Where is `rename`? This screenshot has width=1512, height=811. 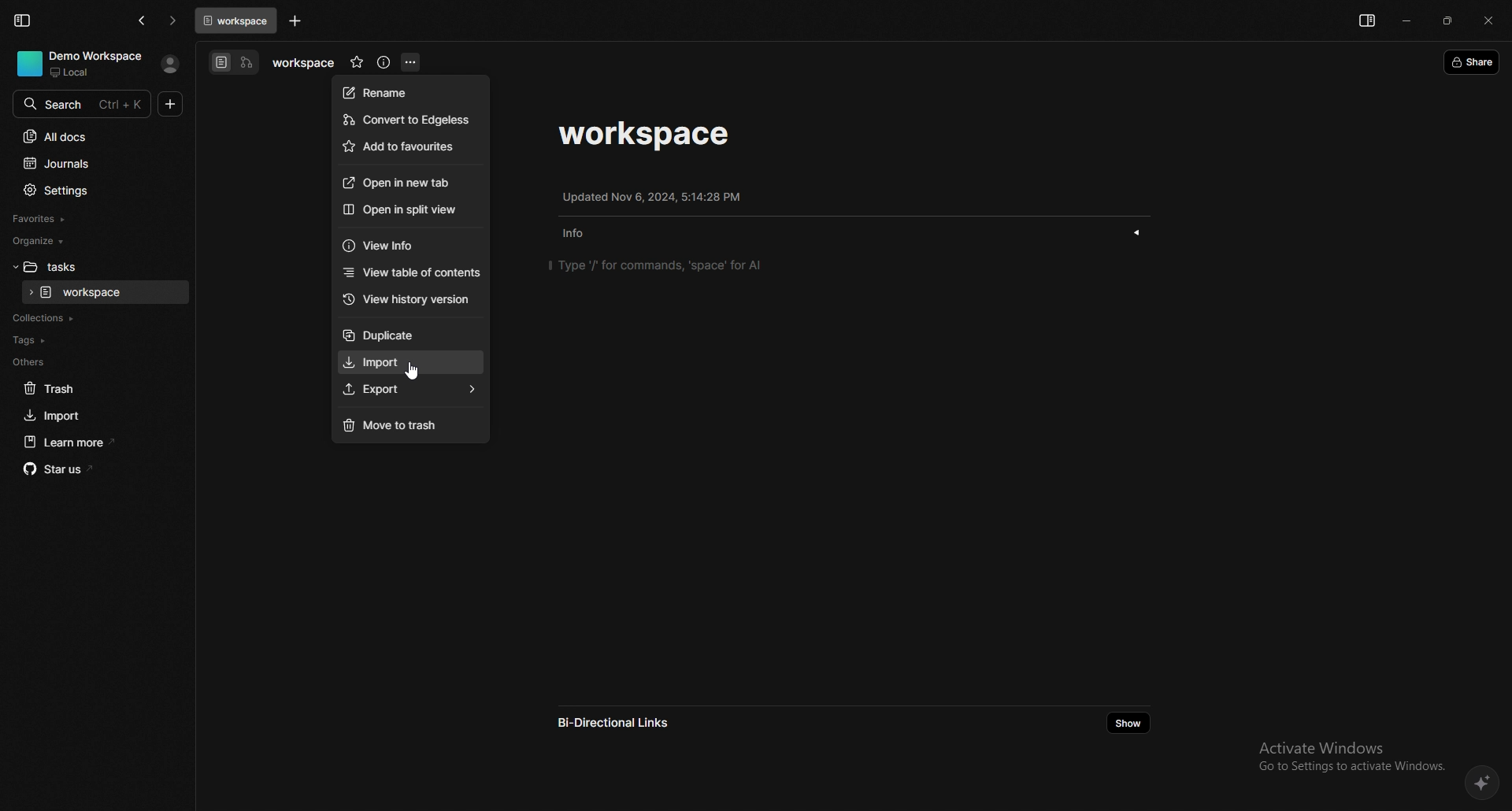 rename is located at coordinates (409, 92).